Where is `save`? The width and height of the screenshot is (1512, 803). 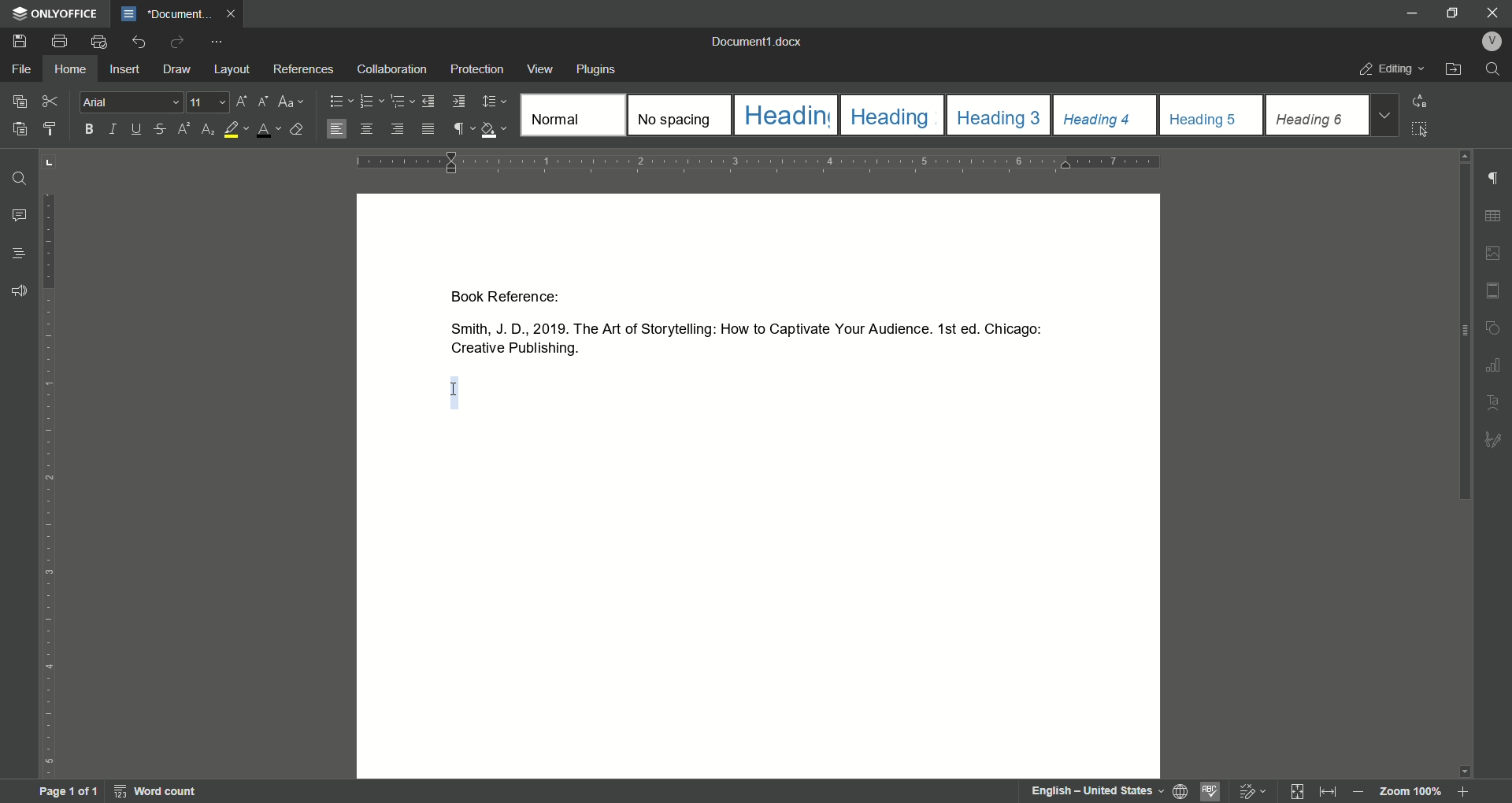 save is located at coordinates (20, 41).